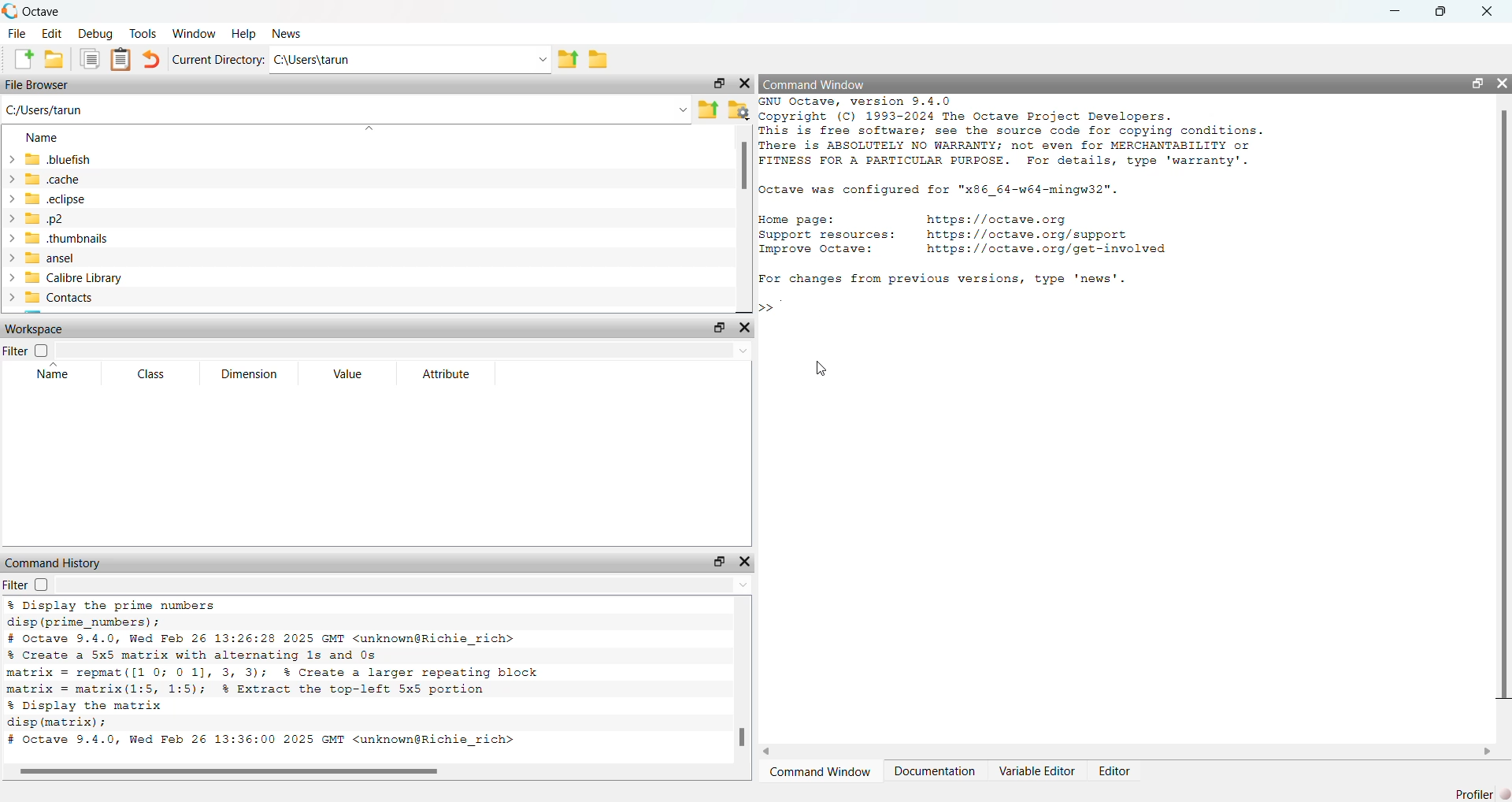 Image resolution: width=1512 pixels, height=802 pixels. I want to click on one directory up, so click(709, 108).